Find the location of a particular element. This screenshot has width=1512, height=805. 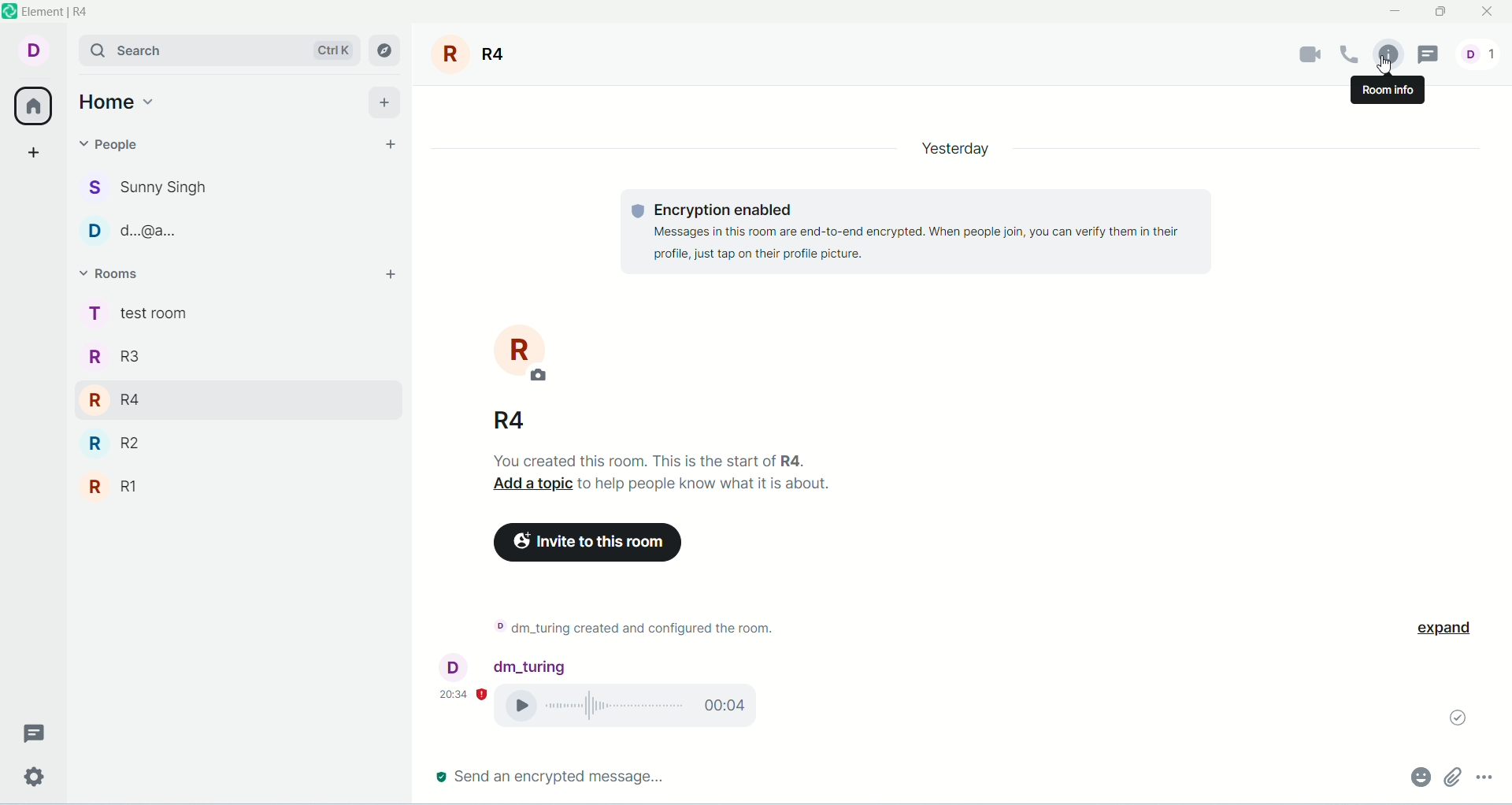

invite to room is located at coordinates (589, 543).